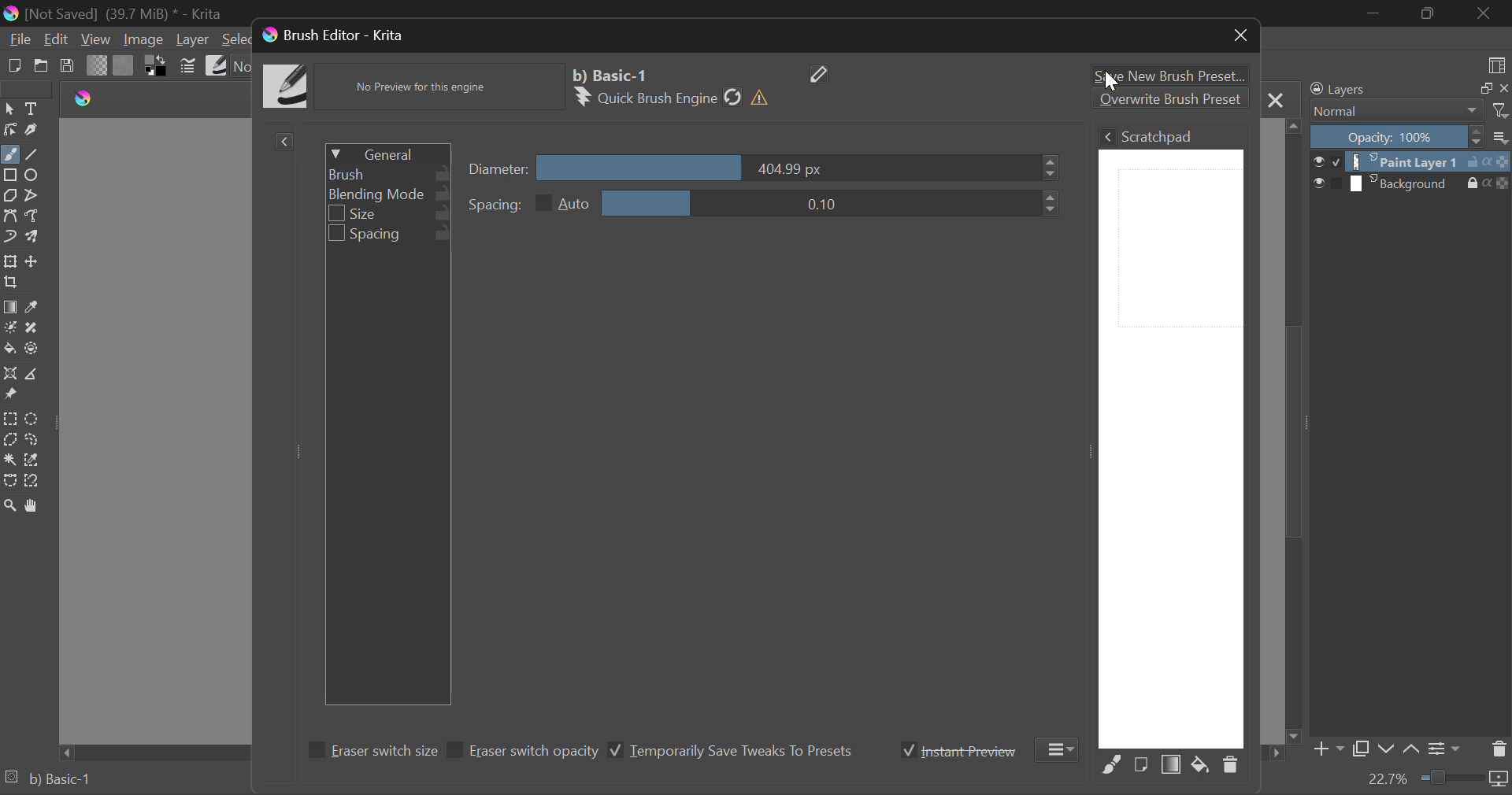 This screenshot has height=795, width=1512. What do you see at coordinates (33, 507) in the screenshot?
I see `Pan` at bounding box center [33, 507].